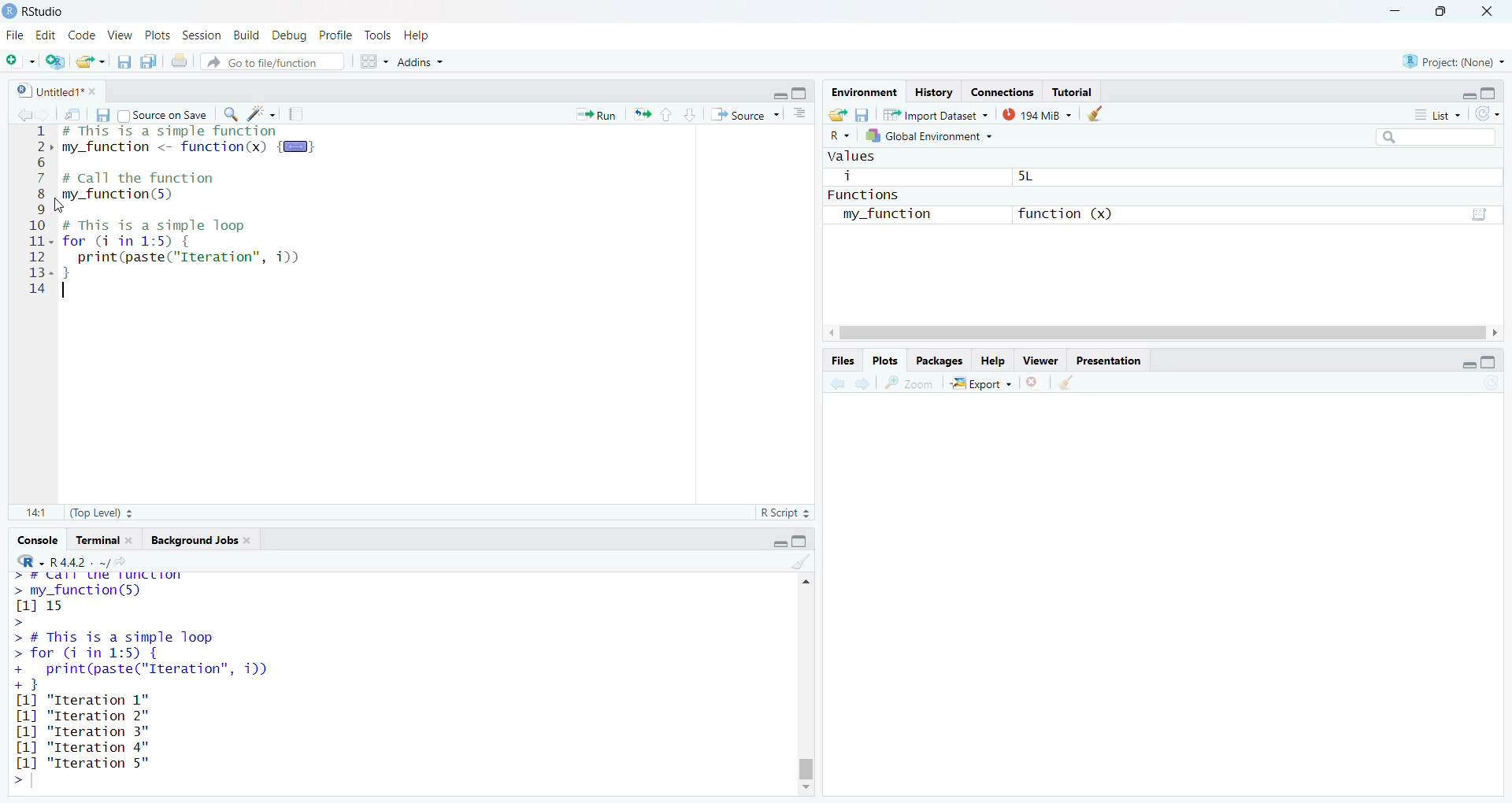 This screenshot has height=803, width=1512. What do you see at coordinates (120, 35) in the screenshot?
I see `view` at bounding box center [120, 35].